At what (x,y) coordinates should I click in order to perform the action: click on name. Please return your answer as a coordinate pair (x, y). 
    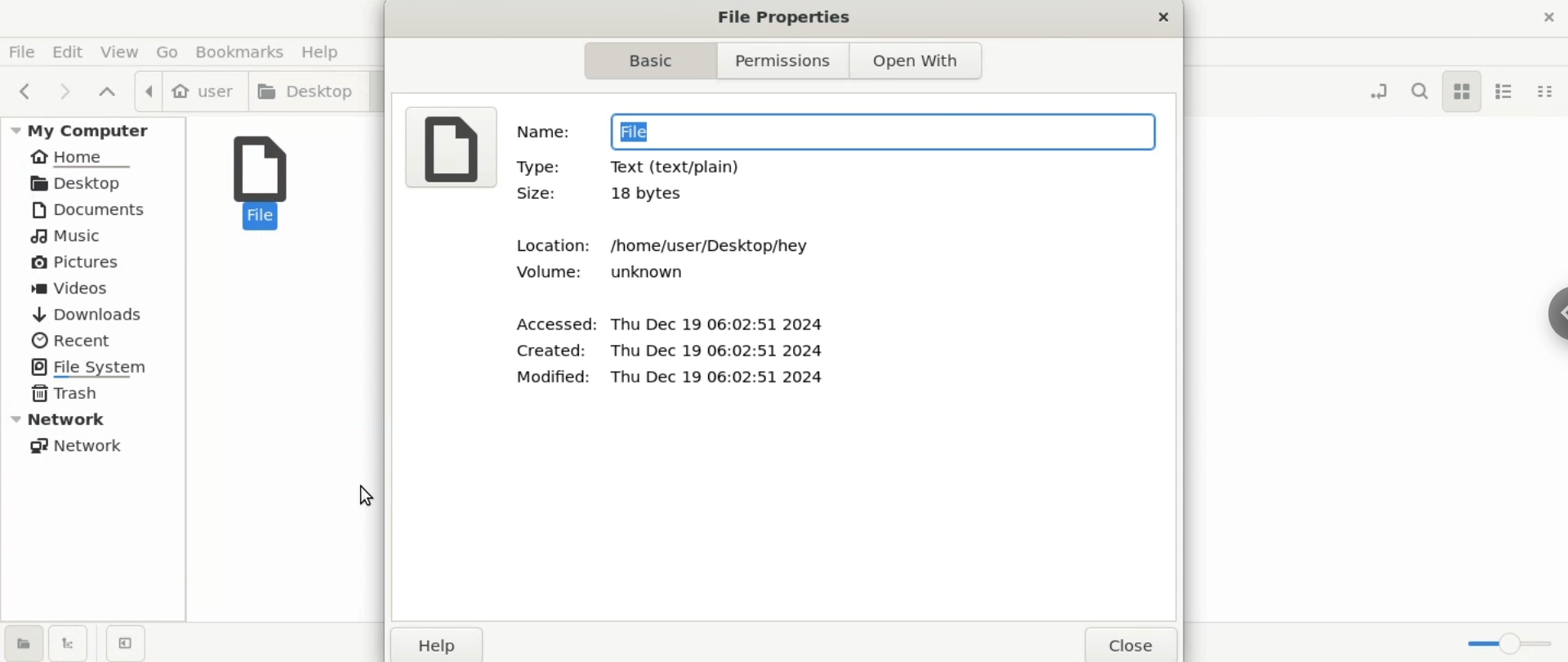
    Looking at the image, I should click on (545, 132).